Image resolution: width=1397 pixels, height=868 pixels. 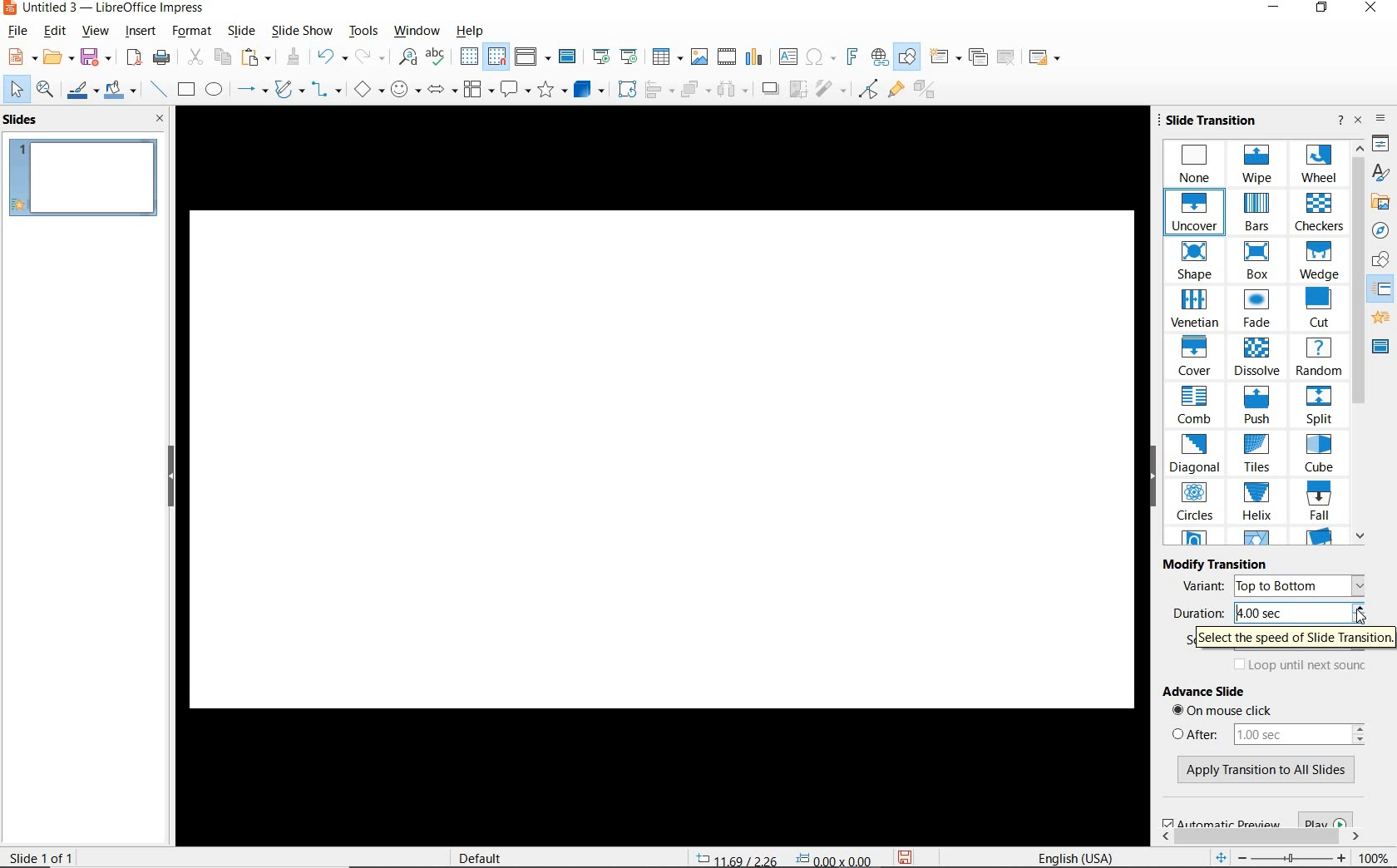 I want to click on LINES AND ARROWS, so click(x=250, y=90).